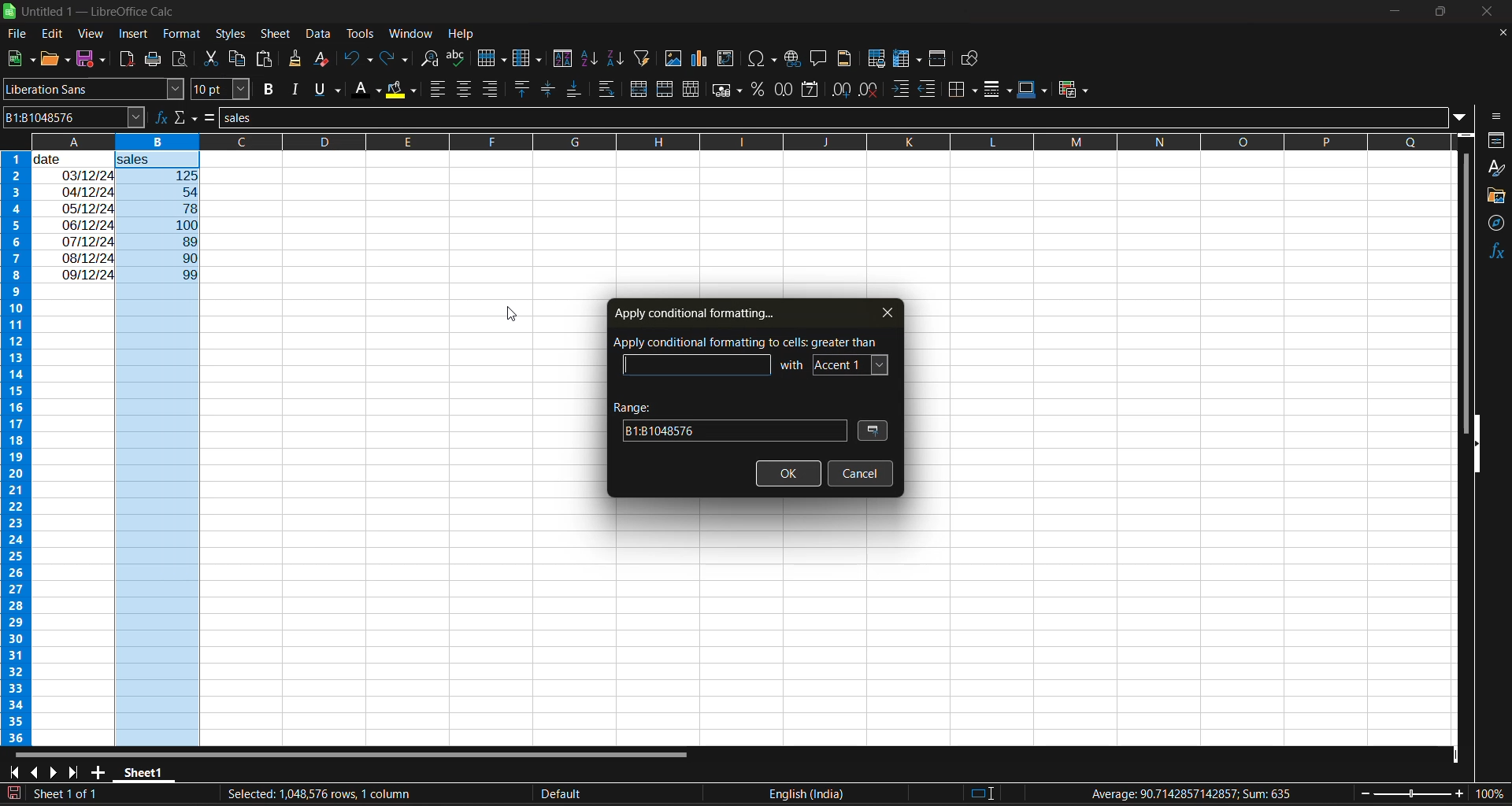  What do you see at coordinates (617, 57) in the screenshot?
I see `sort descending` at bounding box center [617, 57].